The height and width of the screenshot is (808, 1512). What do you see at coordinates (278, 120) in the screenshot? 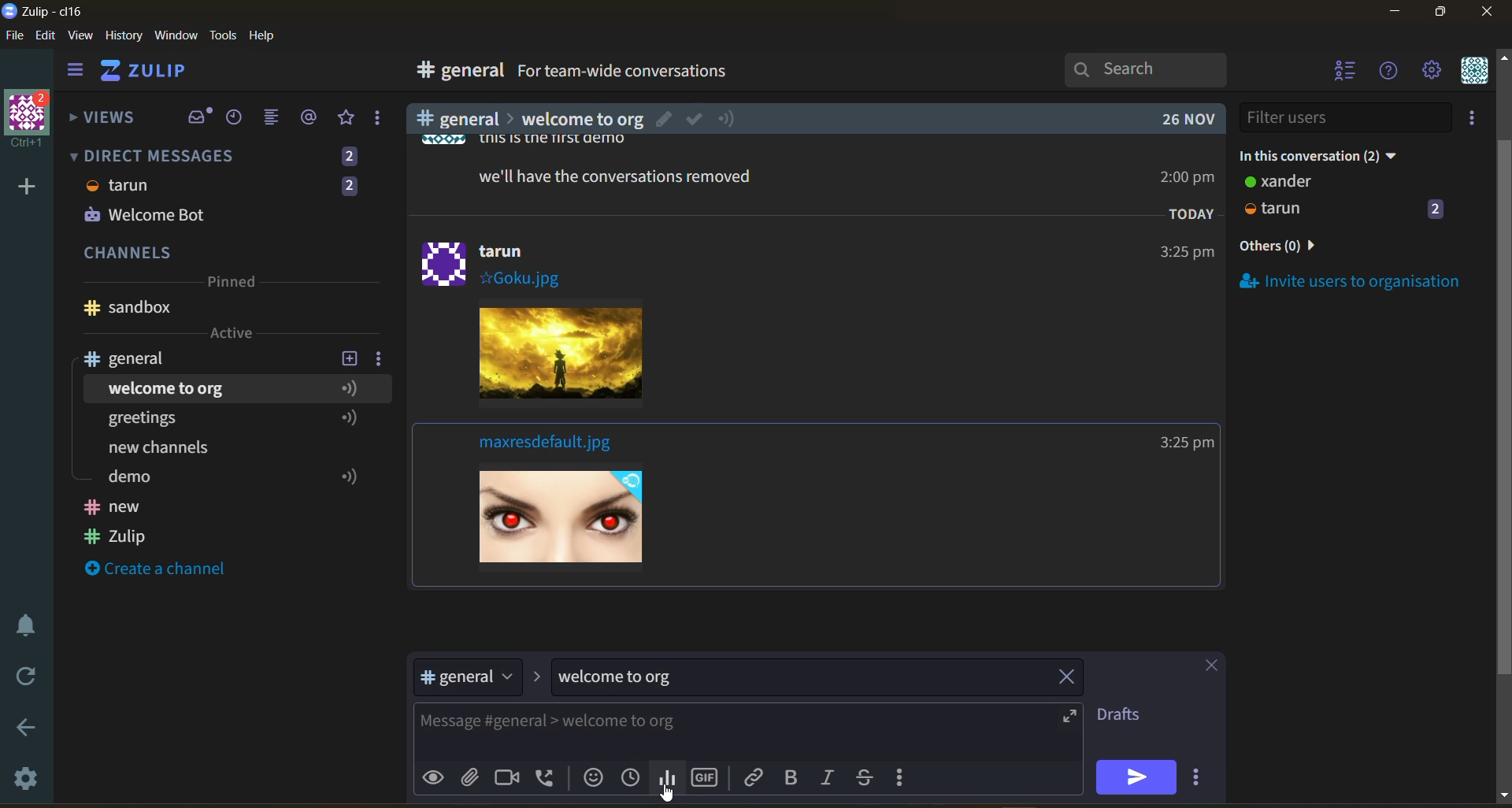
I see `combined feed` at bounding box center [278, 120].